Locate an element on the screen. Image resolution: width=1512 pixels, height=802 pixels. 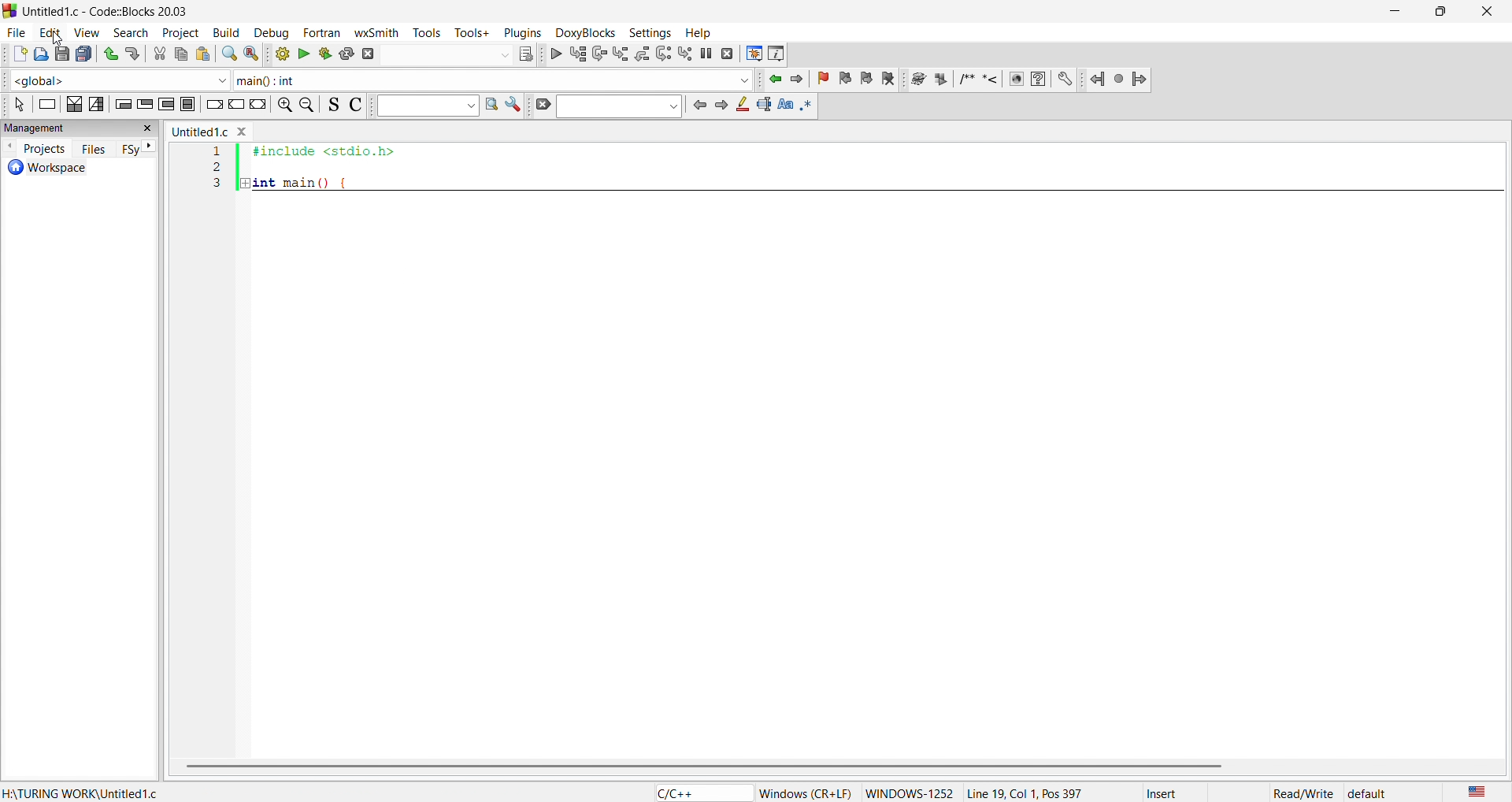
prev is located at coordinates (699, 105).